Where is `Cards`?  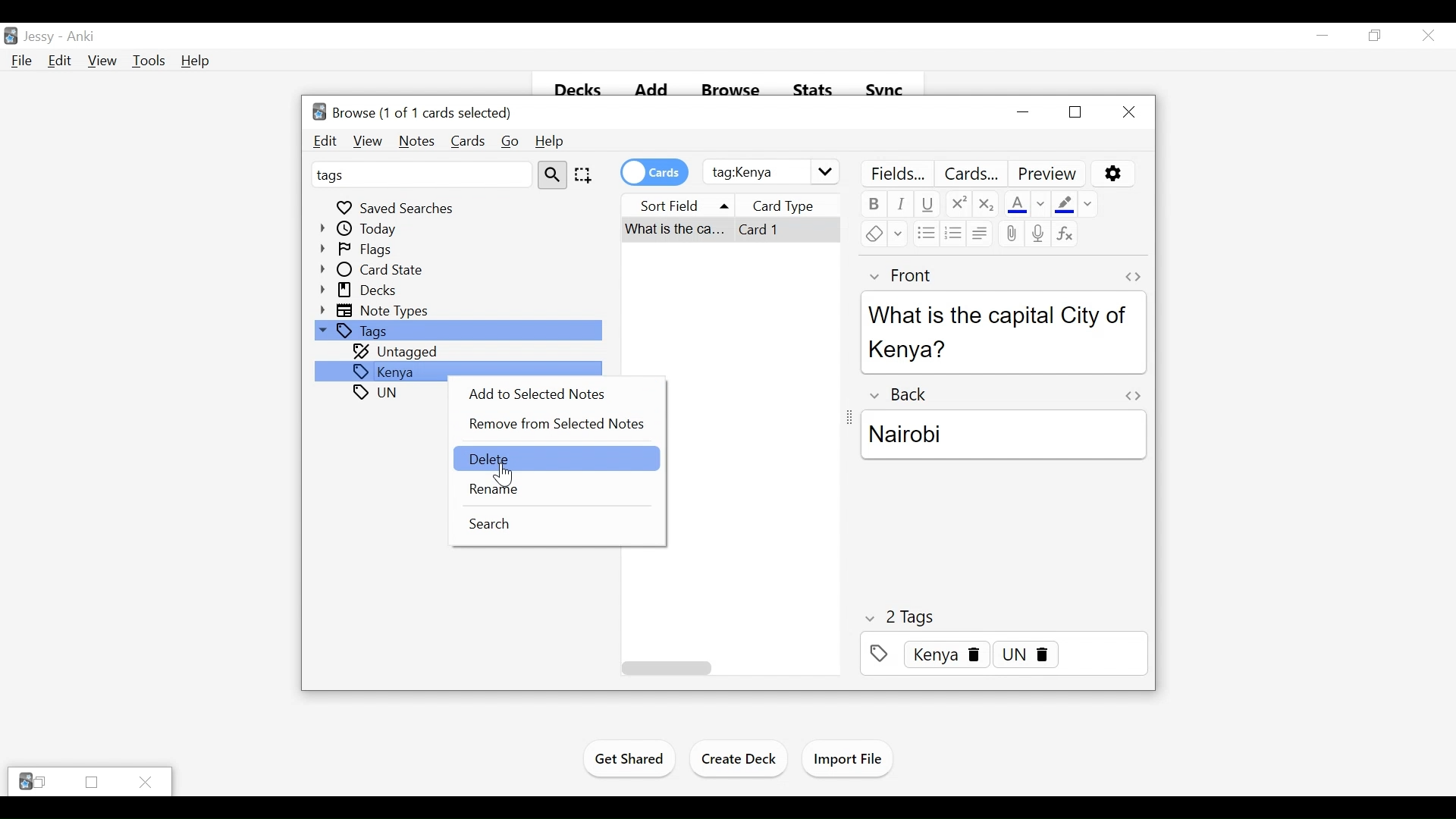
Cards is located at coordinates (466, 142).